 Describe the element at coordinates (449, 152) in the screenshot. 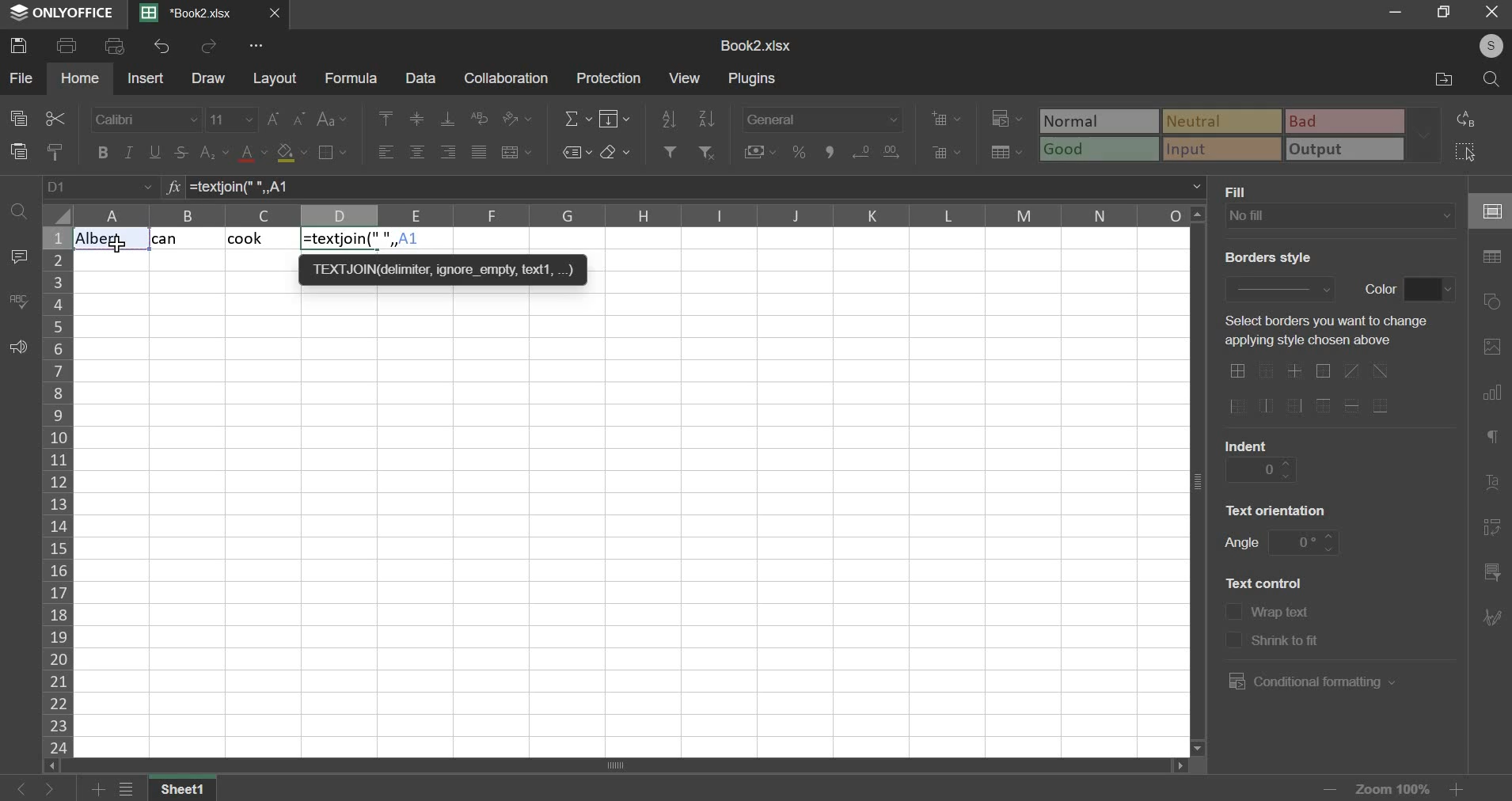

I see `align right` at that location.